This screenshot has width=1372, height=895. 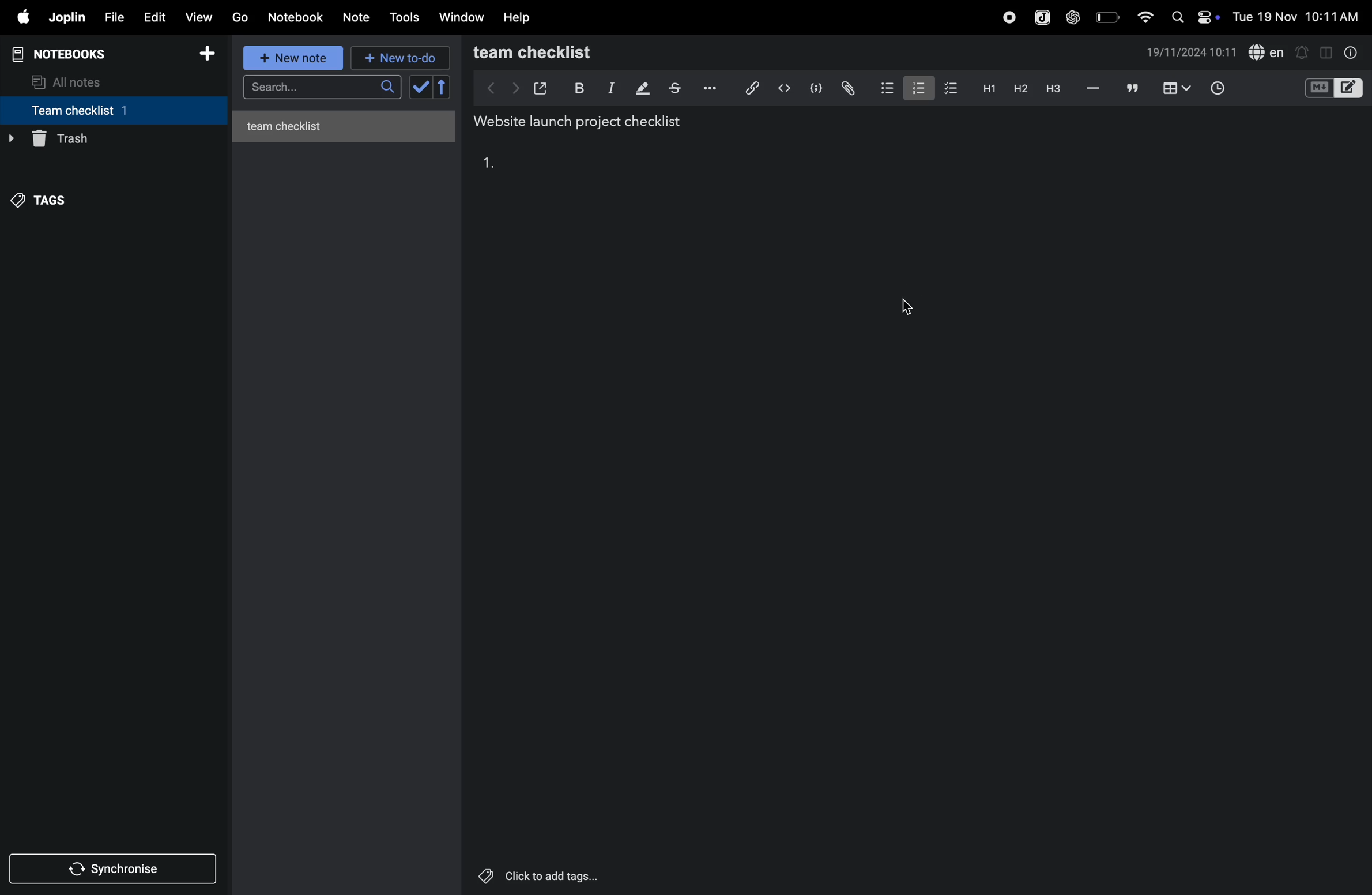 I want to click on checklist, so click(x=952, y=89).